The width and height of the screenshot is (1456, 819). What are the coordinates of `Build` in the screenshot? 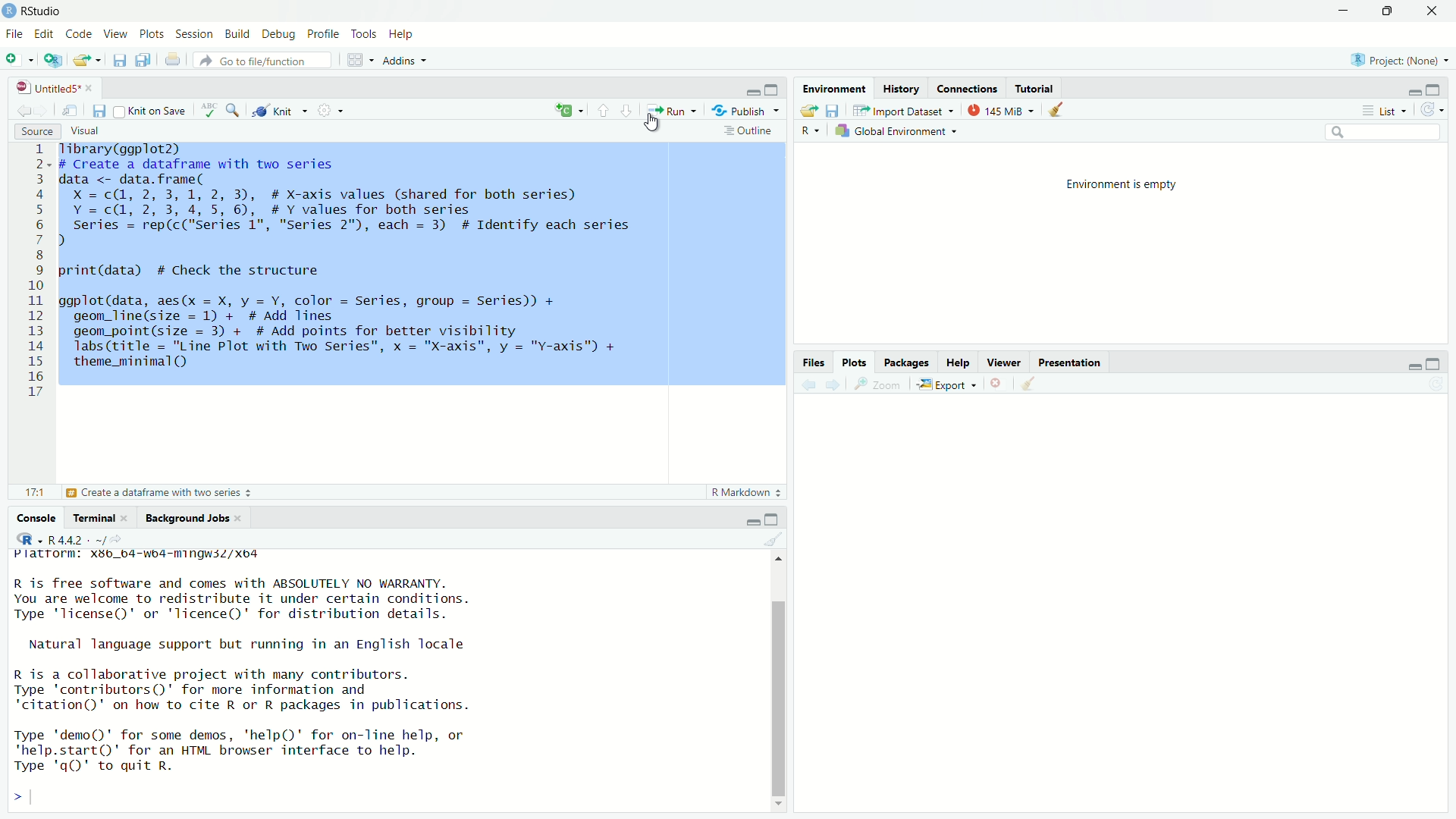 It's located at (237, 36).